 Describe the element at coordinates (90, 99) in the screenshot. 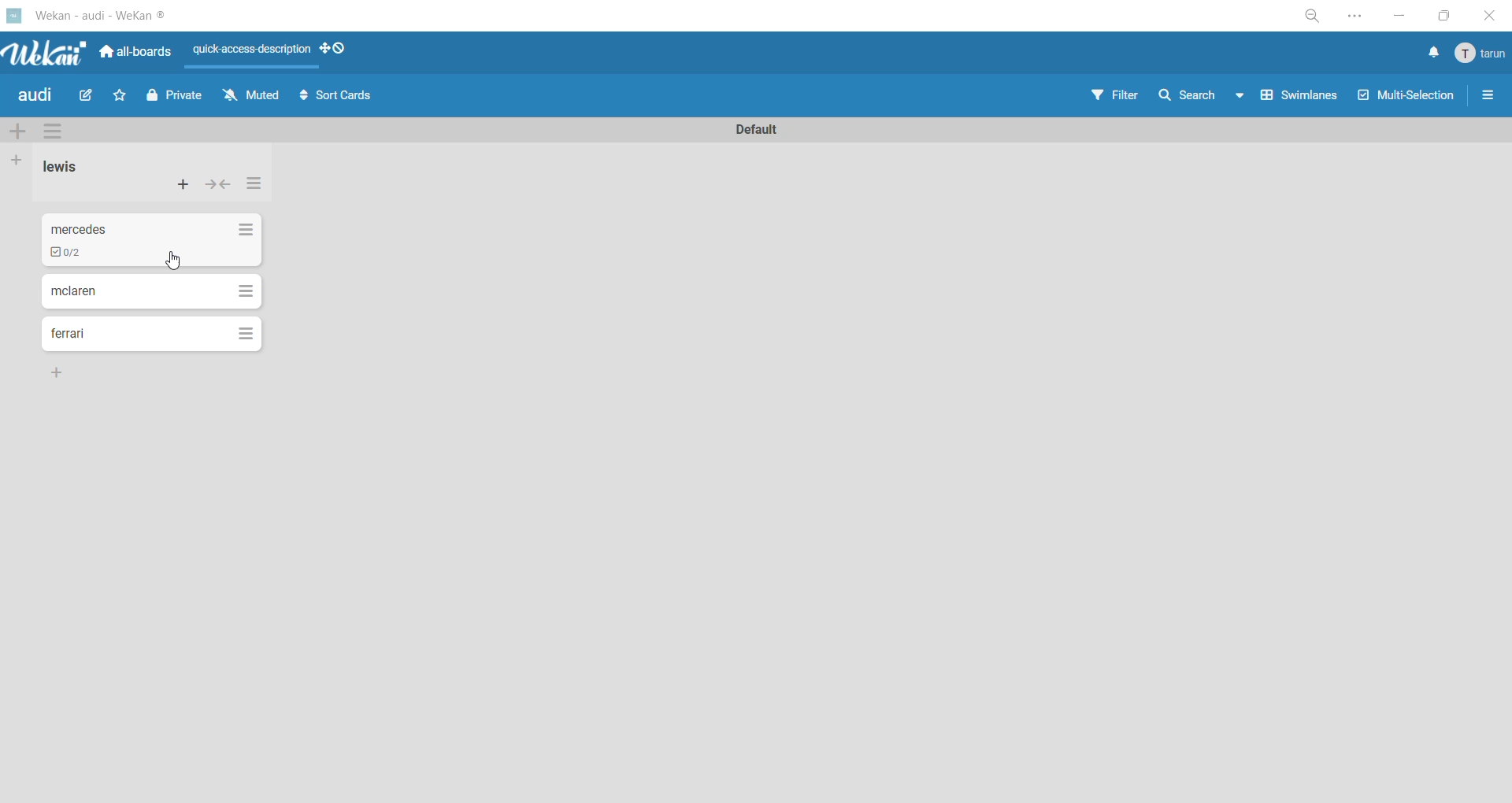

I see `edit` at that location.